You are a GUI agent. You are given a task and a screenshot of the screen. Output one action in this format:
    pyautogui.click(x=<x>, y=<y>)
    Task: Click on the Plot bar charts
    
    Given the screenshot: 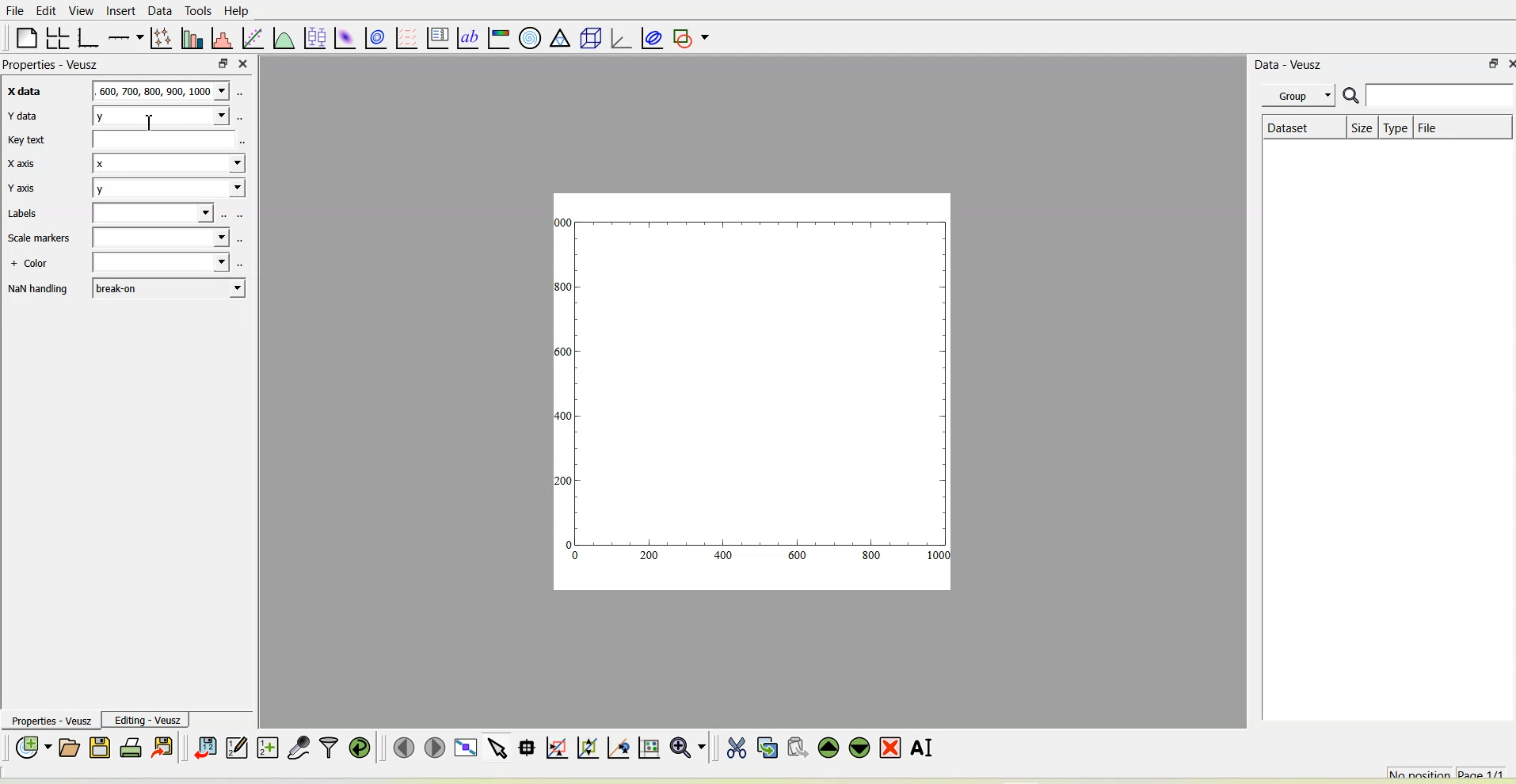 What is the action you would take?
    pyautogui.click(x=192, y=39)
    